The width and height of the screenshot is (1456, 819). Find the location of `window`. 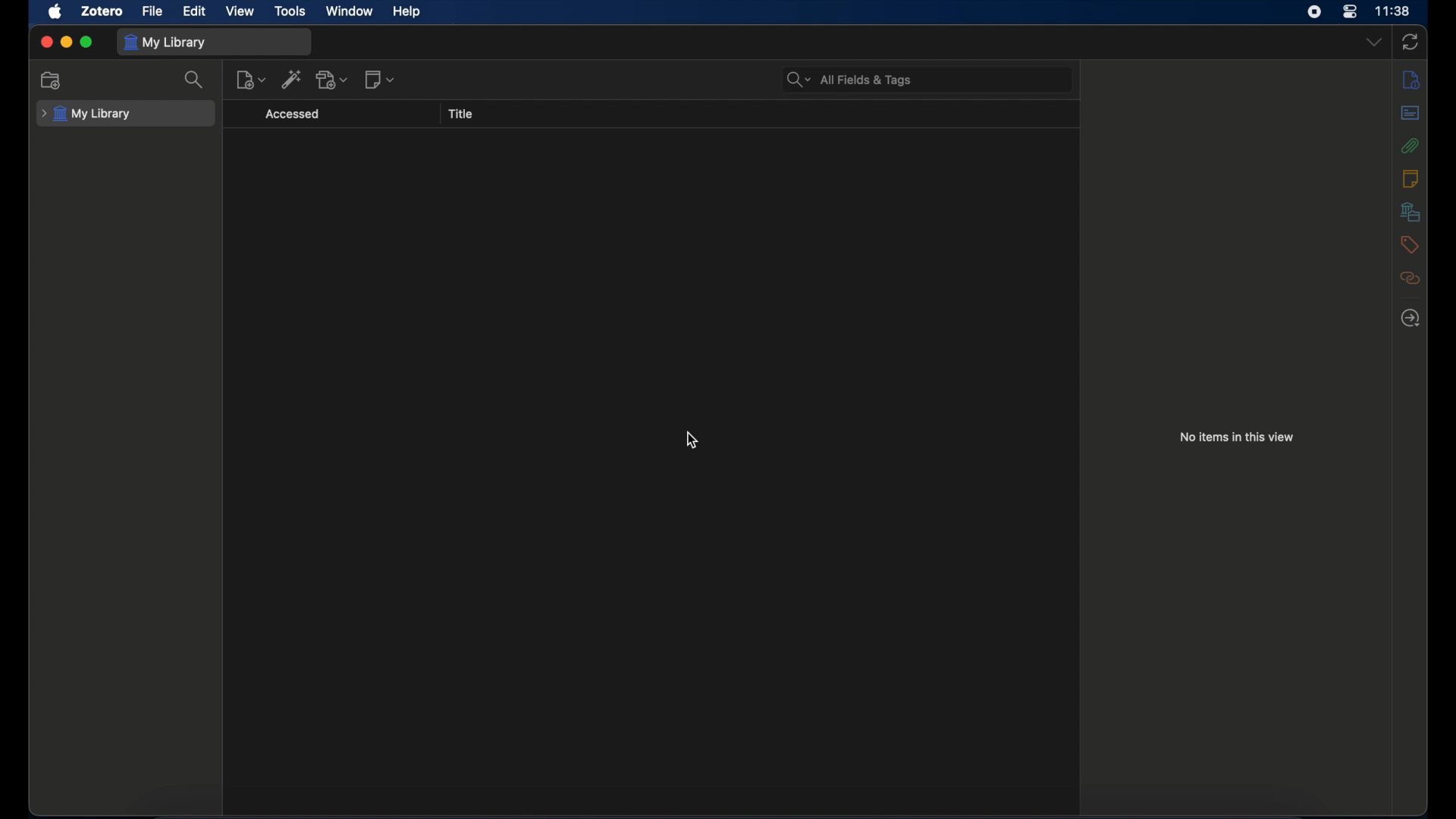

window is located at coordinates (351, 11).